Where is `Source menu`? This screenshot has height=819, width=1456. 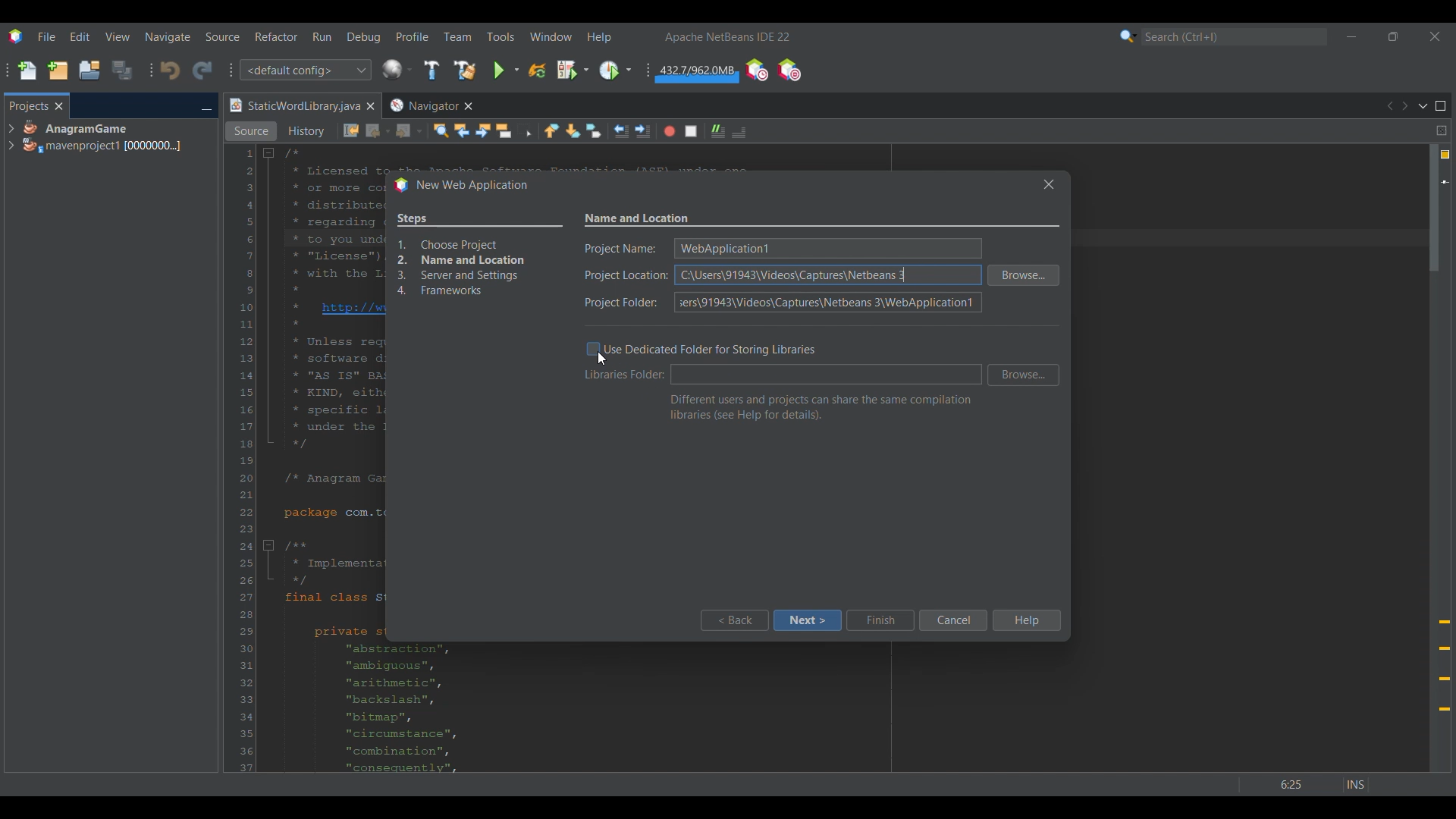
Source menu is located at coordinates (223, 36).